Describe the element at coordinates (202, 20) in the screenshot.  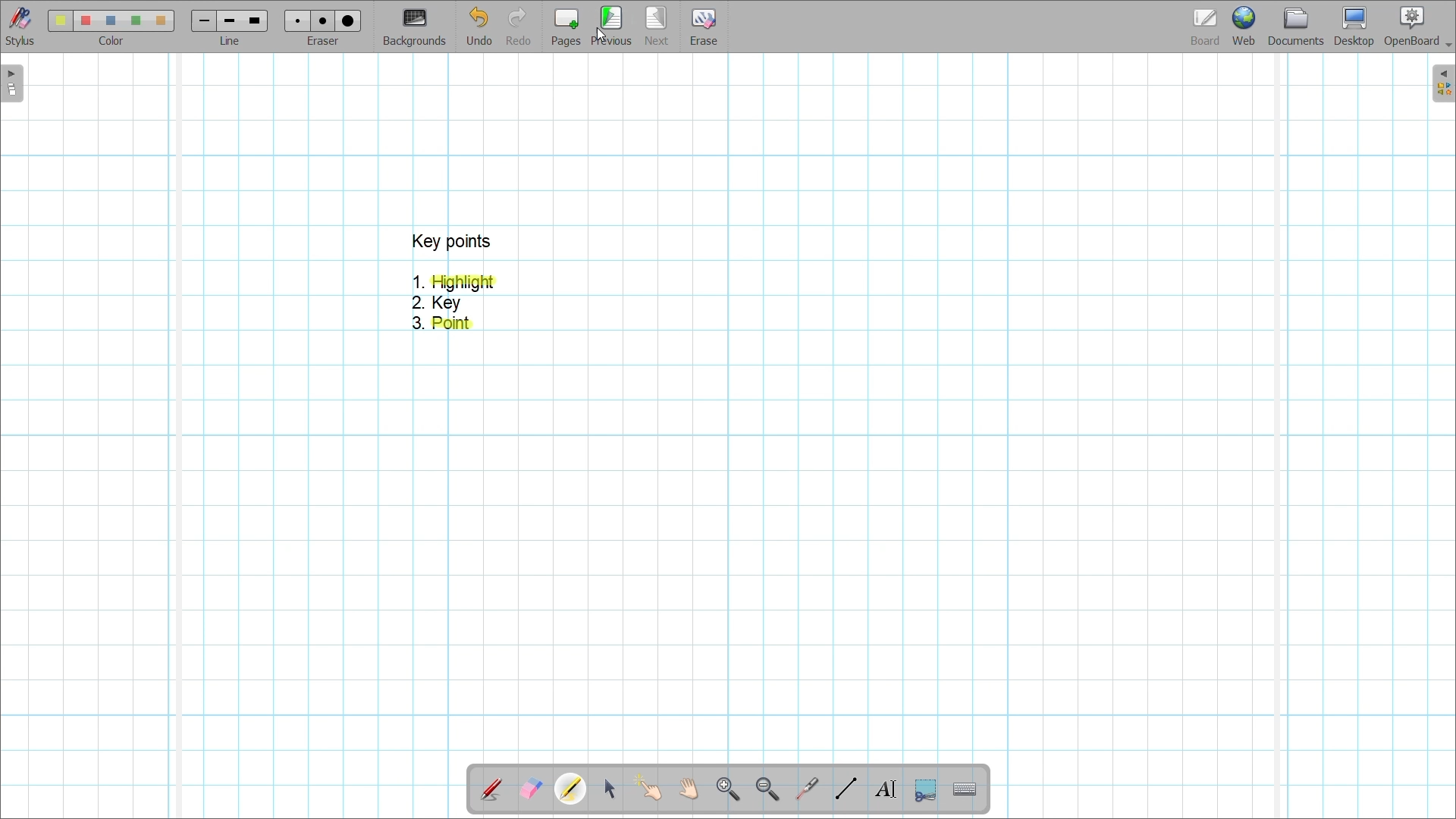
I see `Line 1` at that location.